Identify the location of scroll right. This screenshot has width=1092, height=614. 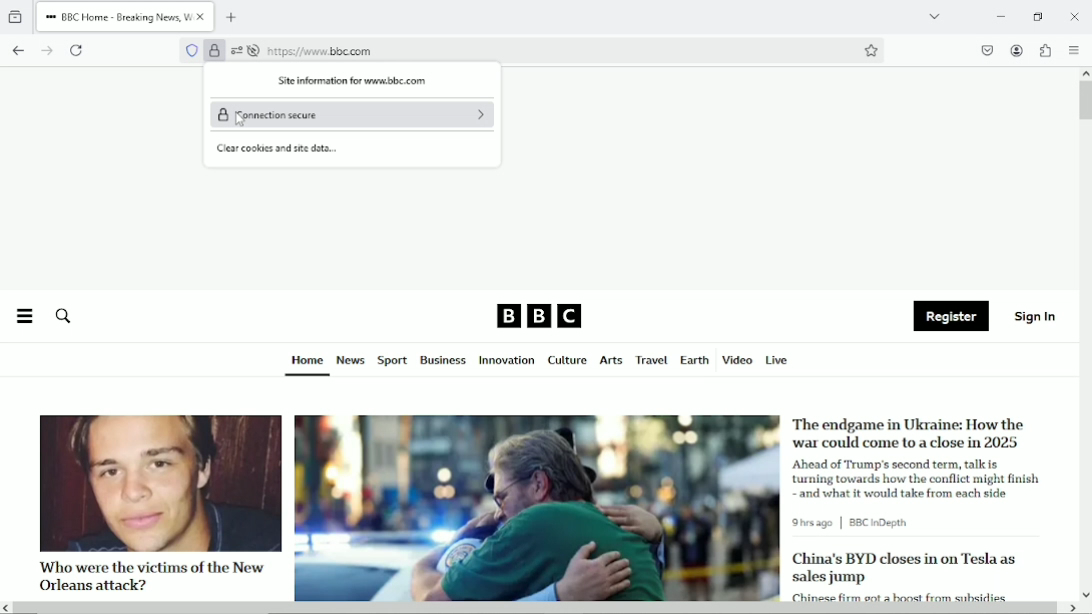
(1071, 608).